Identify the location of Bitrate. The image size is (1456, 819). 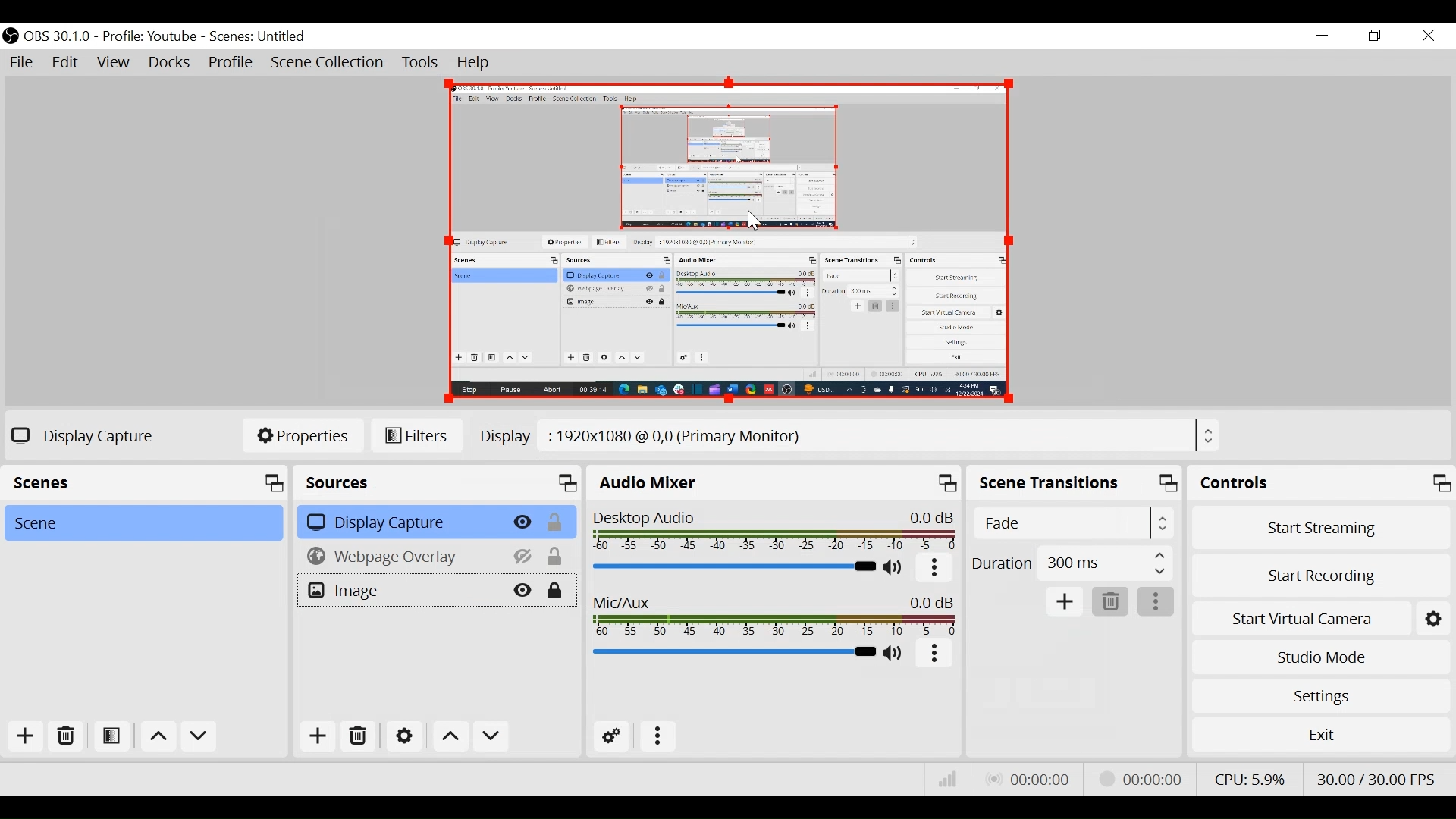
(949, 778).